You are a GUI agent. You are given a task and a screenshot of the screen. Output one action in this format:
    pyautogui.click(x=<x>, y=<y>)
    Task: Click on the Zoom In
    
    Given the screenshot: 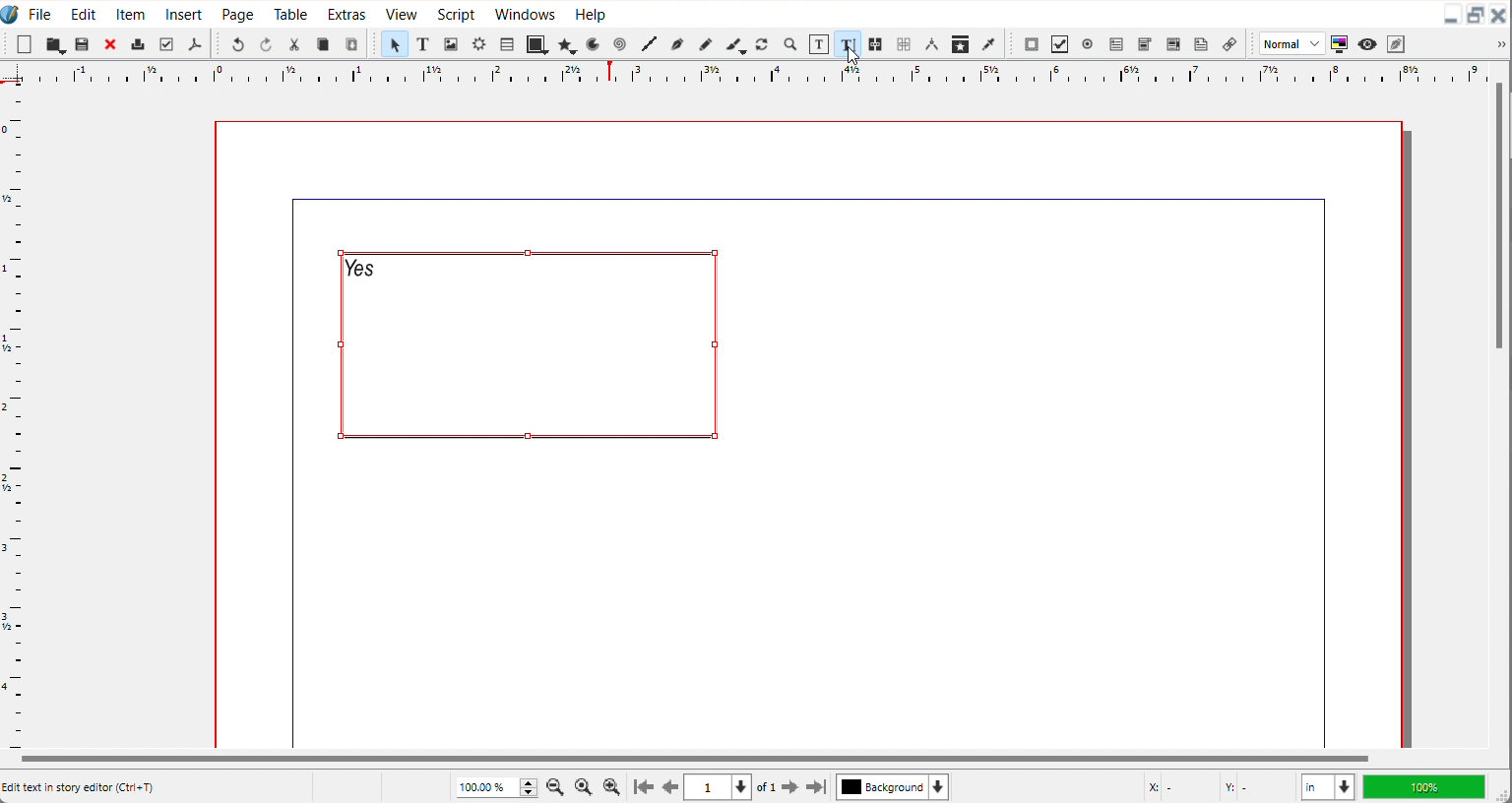 What is the action you would take?
    pyautogui.click(x=612, y=786)
    